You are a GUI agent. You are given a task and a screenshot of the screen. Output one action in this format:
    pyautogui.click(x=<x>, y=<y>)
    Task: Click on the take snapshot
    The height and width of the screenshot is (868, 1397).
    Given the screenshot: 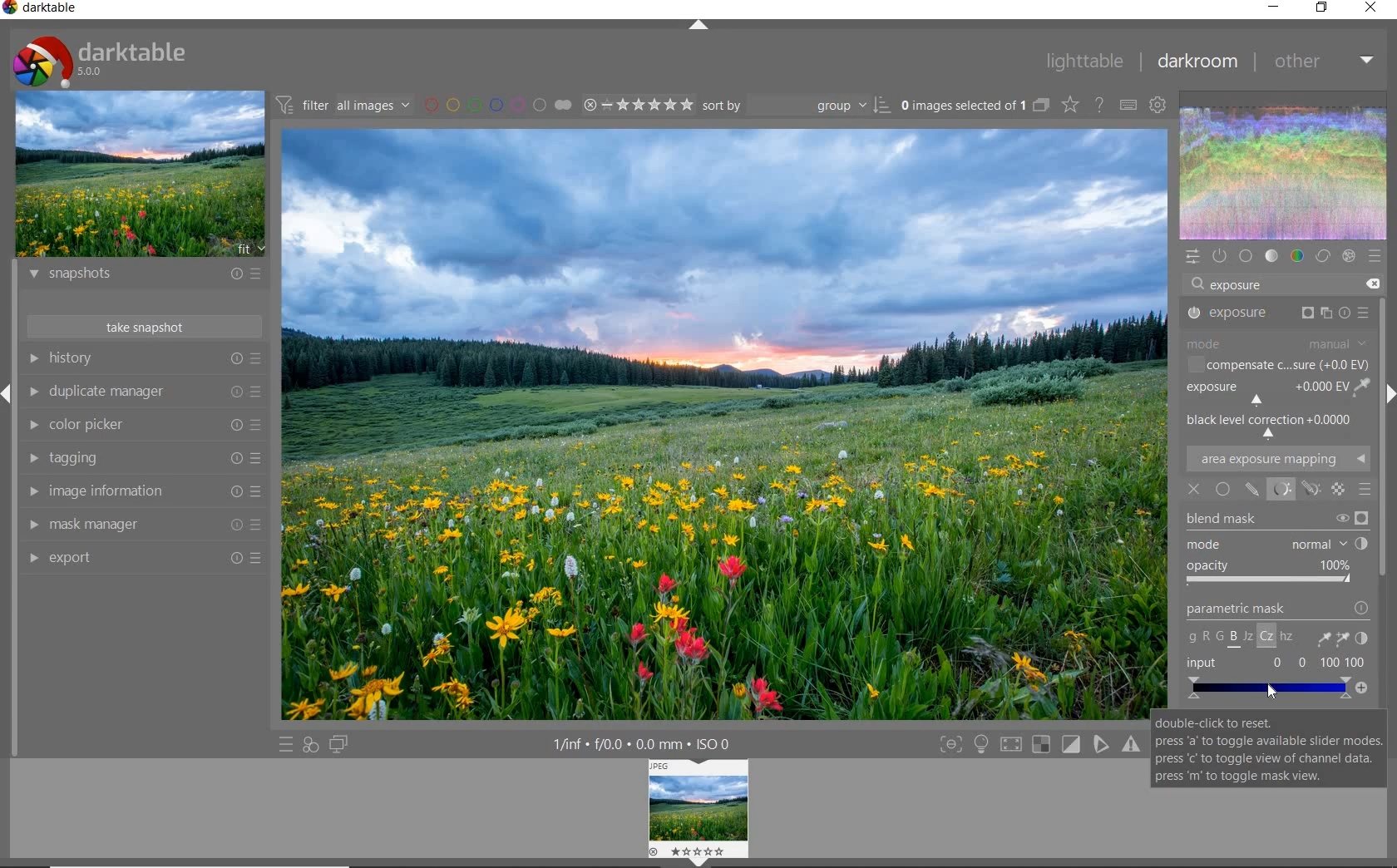 What is the action you would take?
    pyautogui.click(x=146, y=327)
    